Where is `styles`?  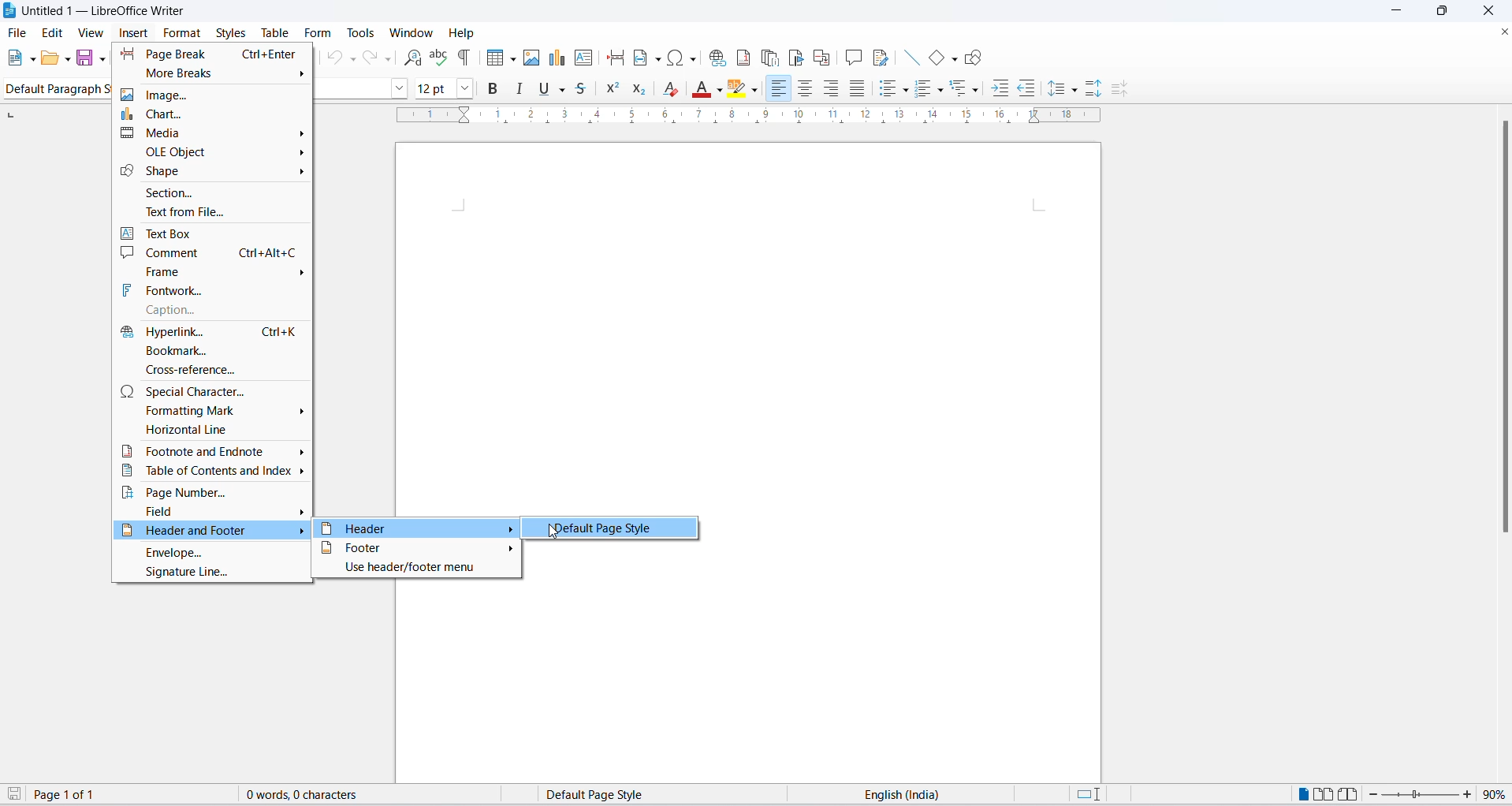 styles is located at coordinates (229, 31).